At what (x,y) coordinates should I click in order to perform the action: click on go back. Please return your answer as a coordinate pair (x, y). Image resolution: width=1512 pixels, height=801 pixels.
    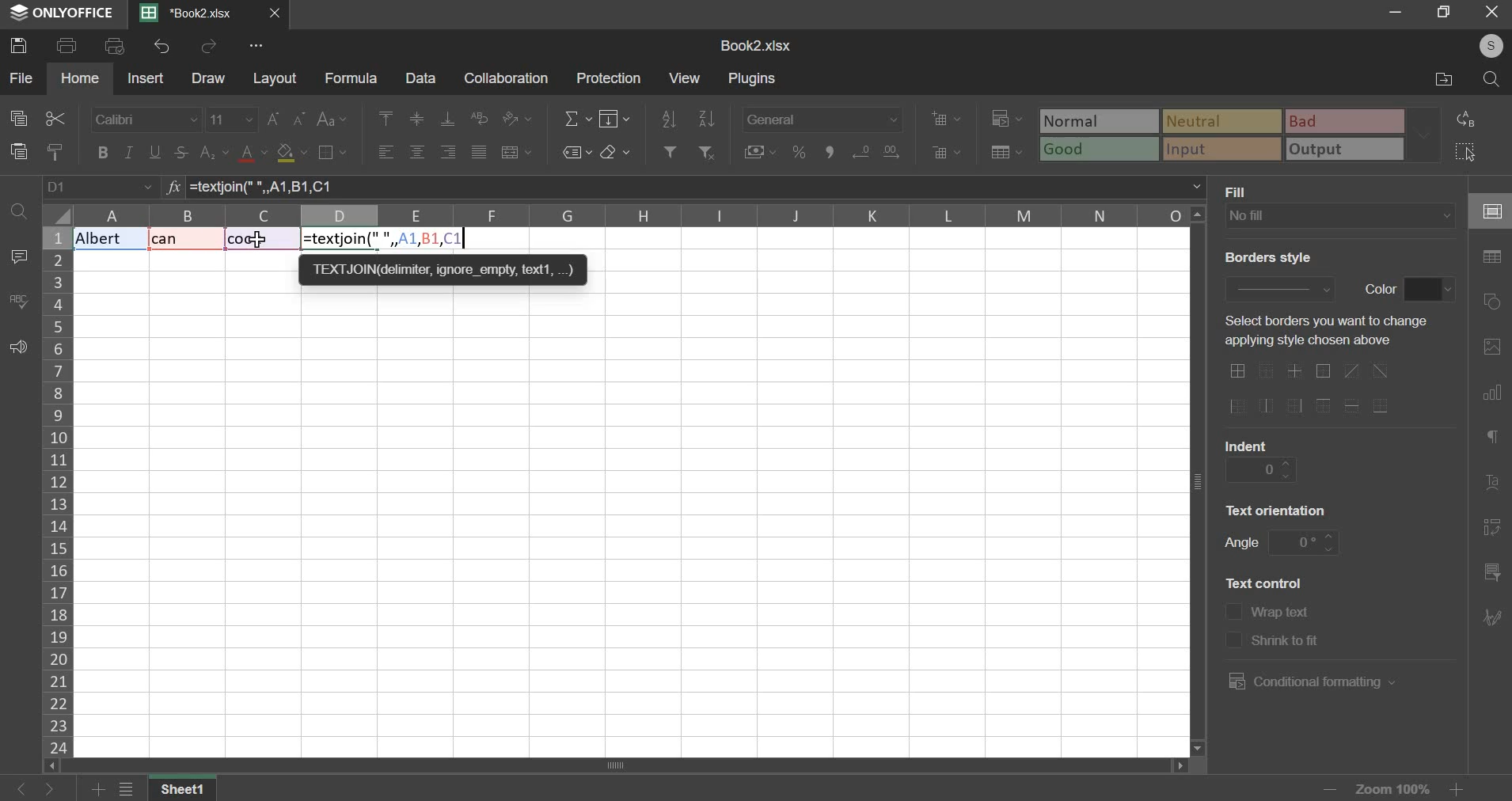
    Looking at the image, I should click on (20, 788).